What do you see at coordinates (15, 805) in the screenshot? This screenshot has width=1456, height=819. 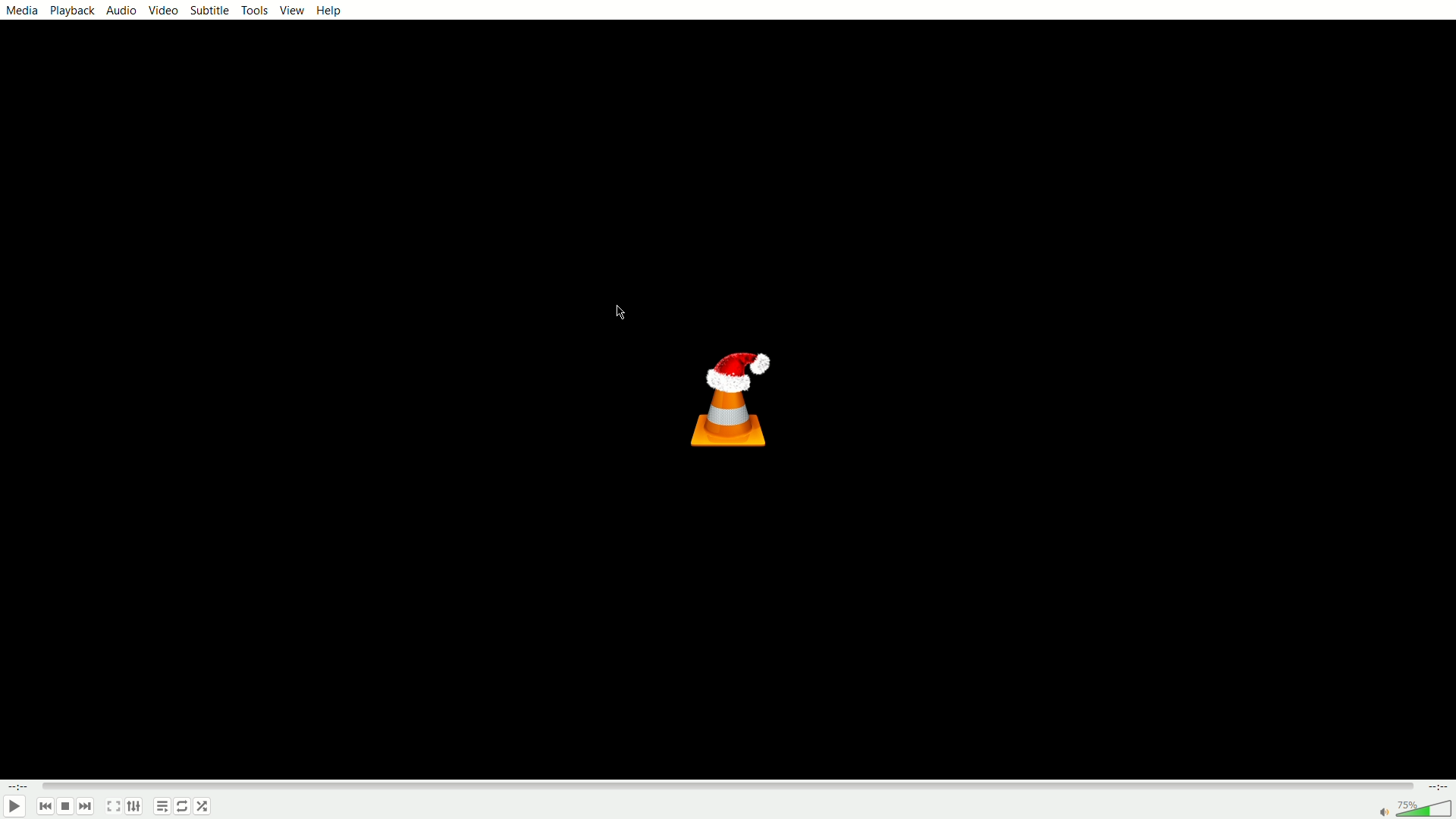 I see `play/pause` at bounding box center [15, 805].